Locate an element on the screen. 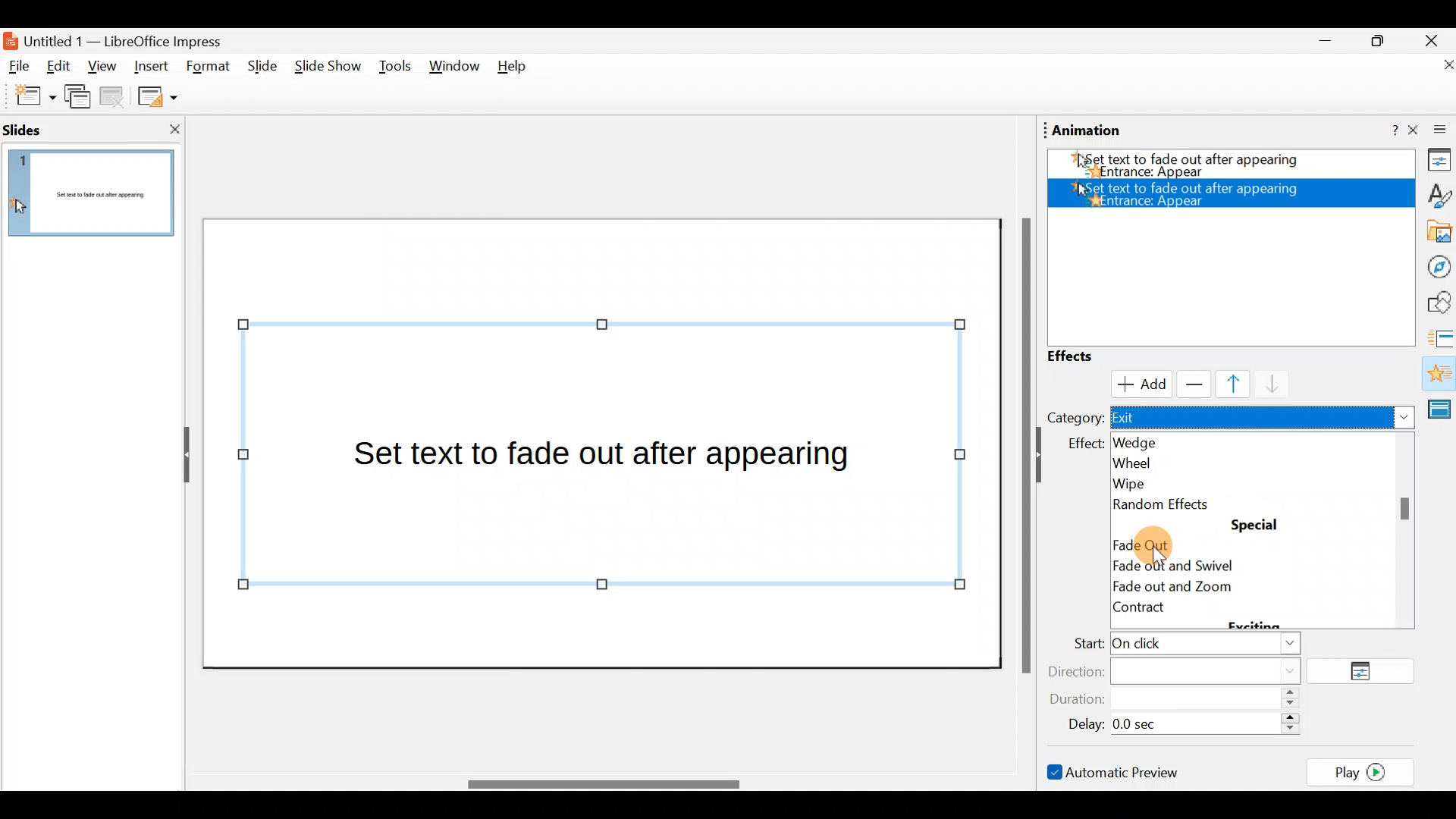  Close sidebar deck is located at coordinates (1433, 130).